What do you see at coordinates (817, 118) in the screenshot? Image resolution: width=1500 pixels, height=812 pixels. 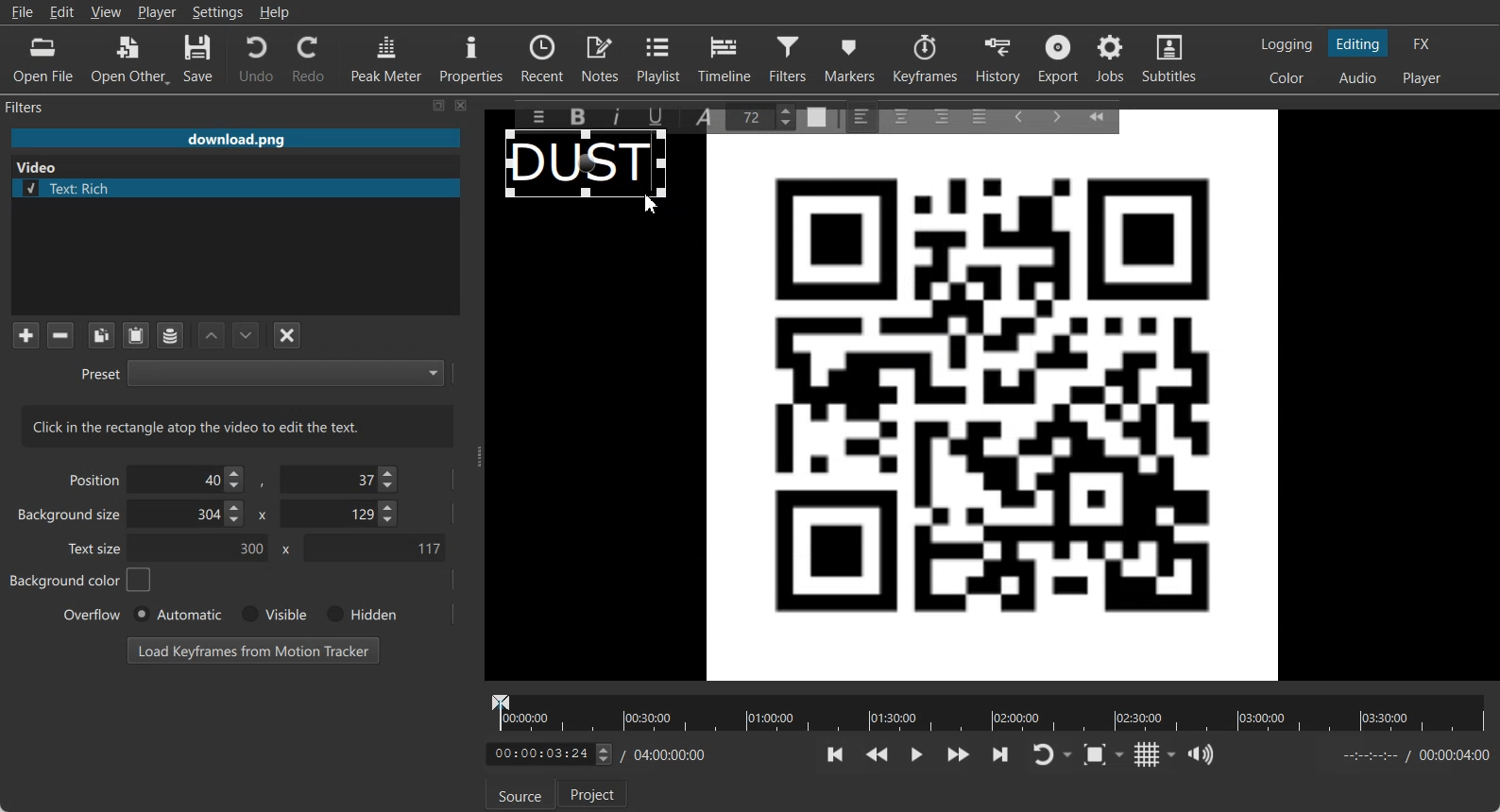 I see `Text Color` at bounding box center [817, 118].